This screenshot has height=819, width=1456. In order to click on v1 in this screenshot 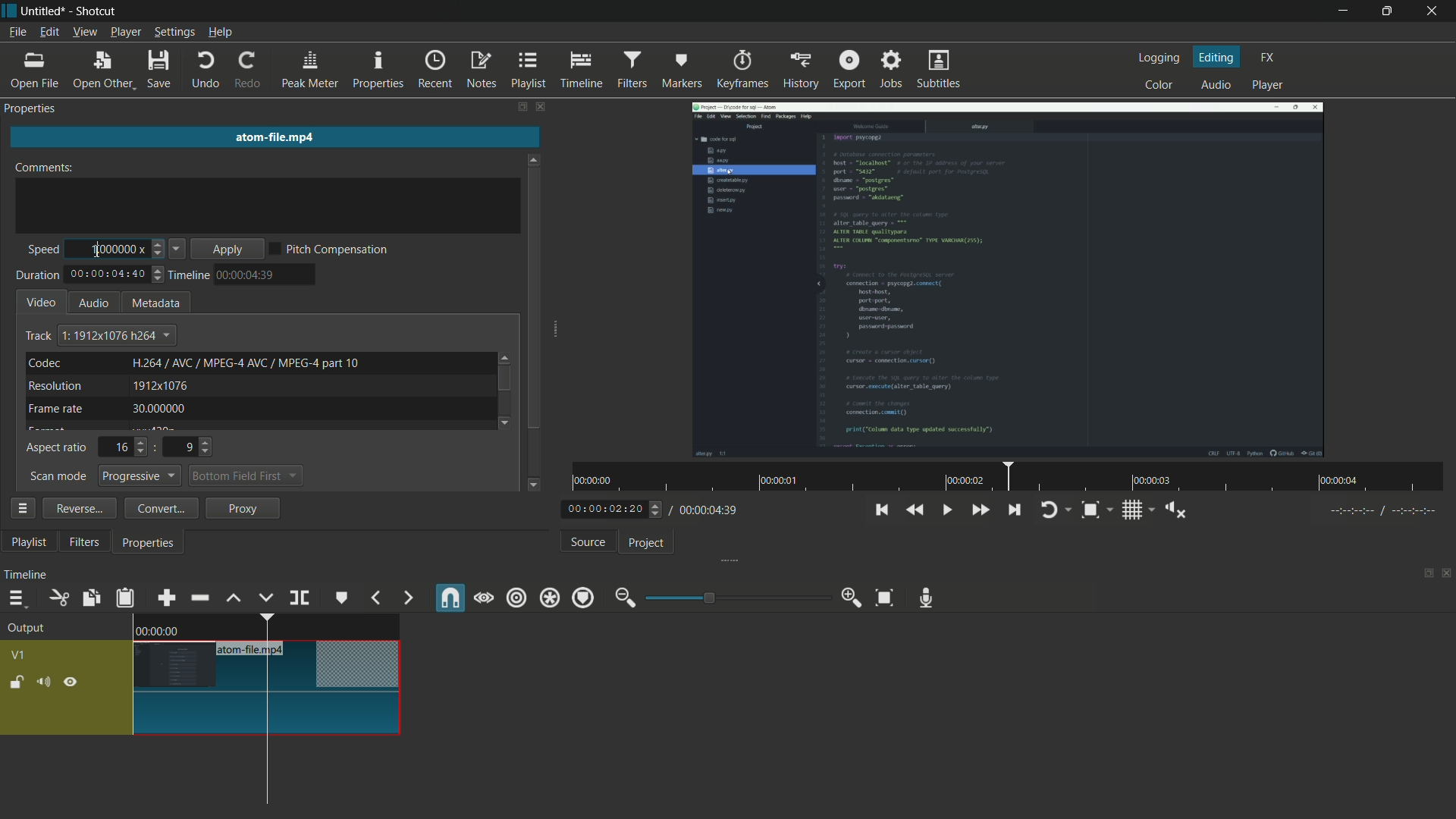, I will do `click(17, 657)`.